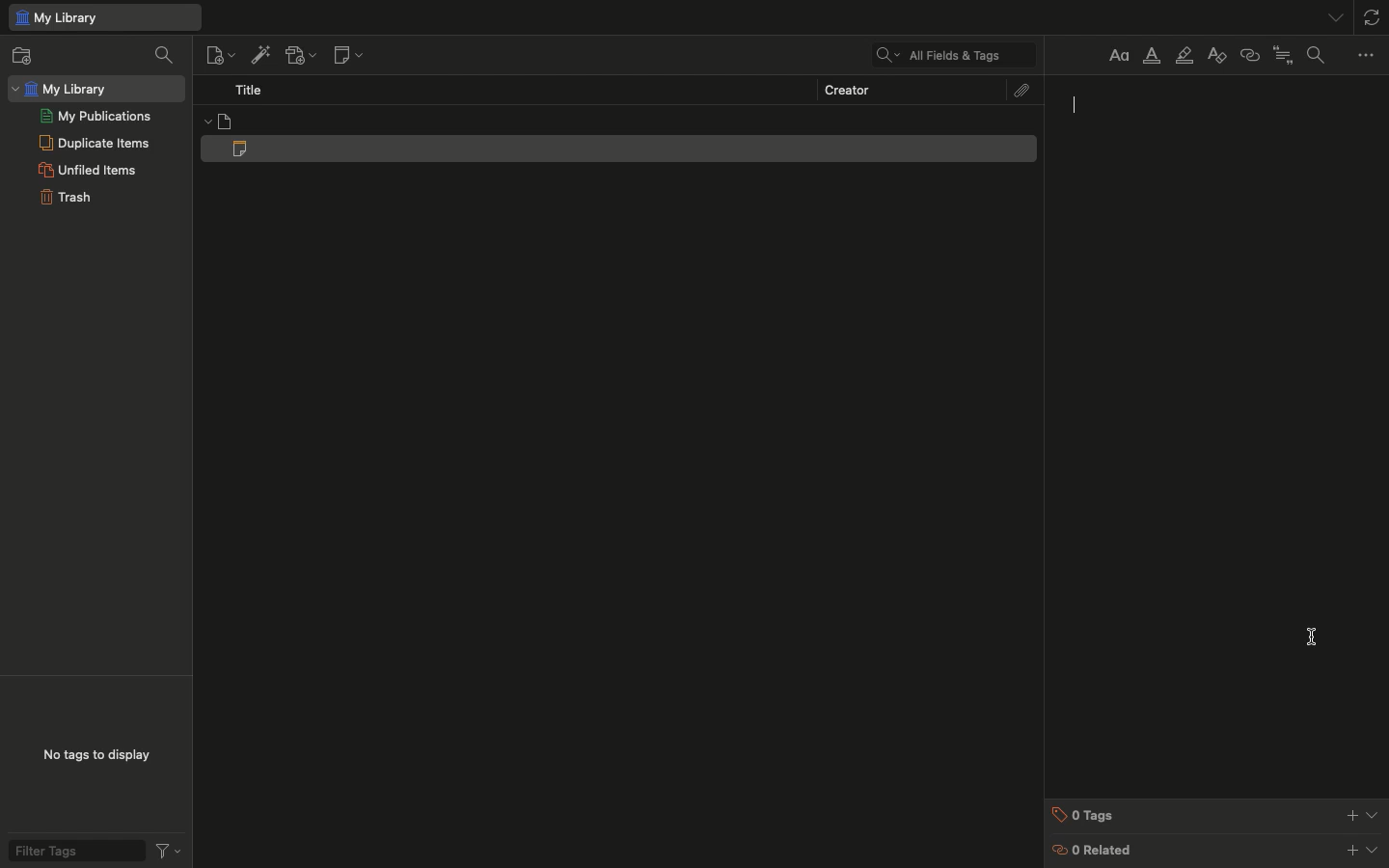 The image size is (1389, 868). Describe the element at coordinates (301, 55) in the screenshot. I see `Add attachment` at that location.